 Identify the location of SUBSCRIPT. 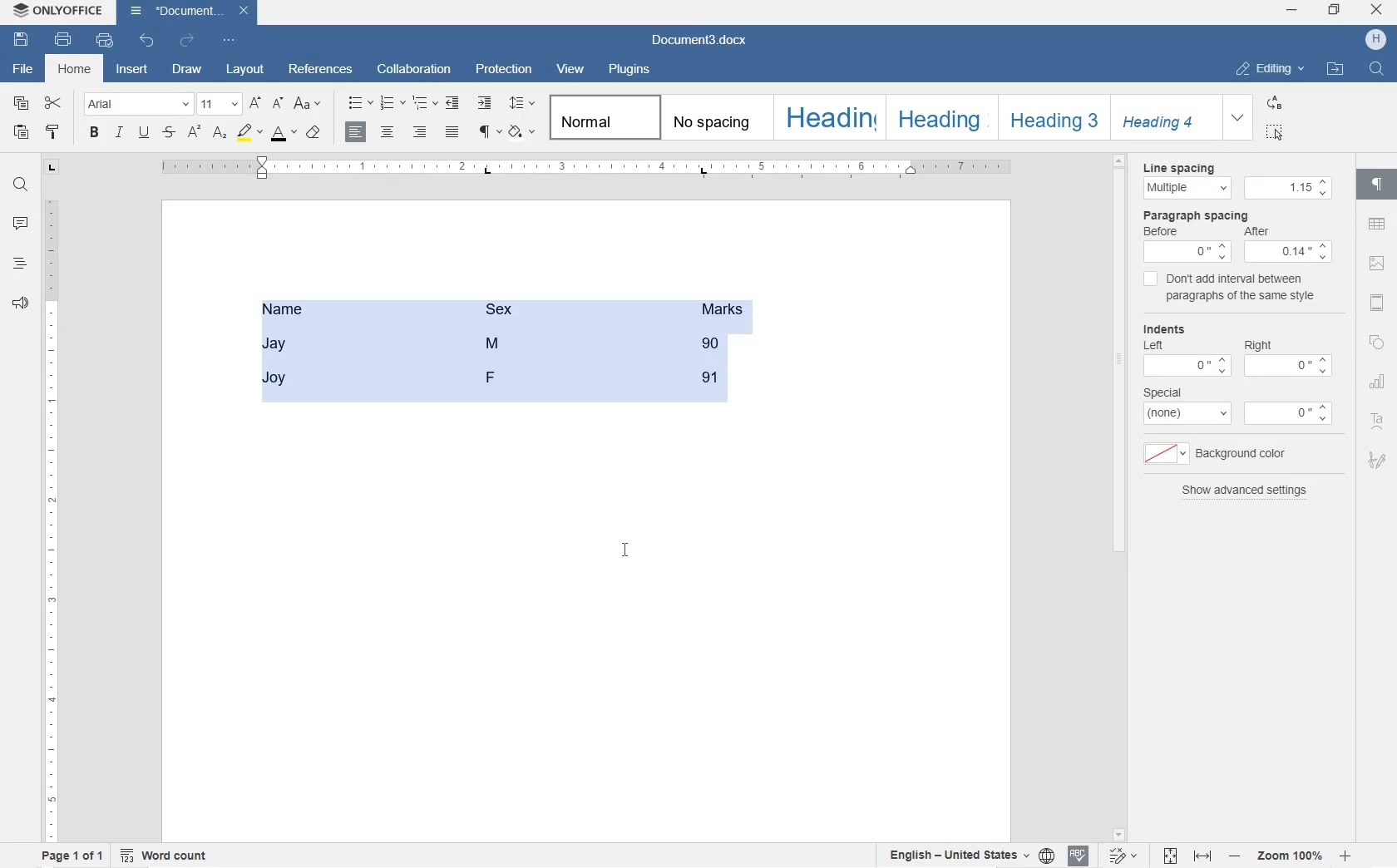
(220, 133).